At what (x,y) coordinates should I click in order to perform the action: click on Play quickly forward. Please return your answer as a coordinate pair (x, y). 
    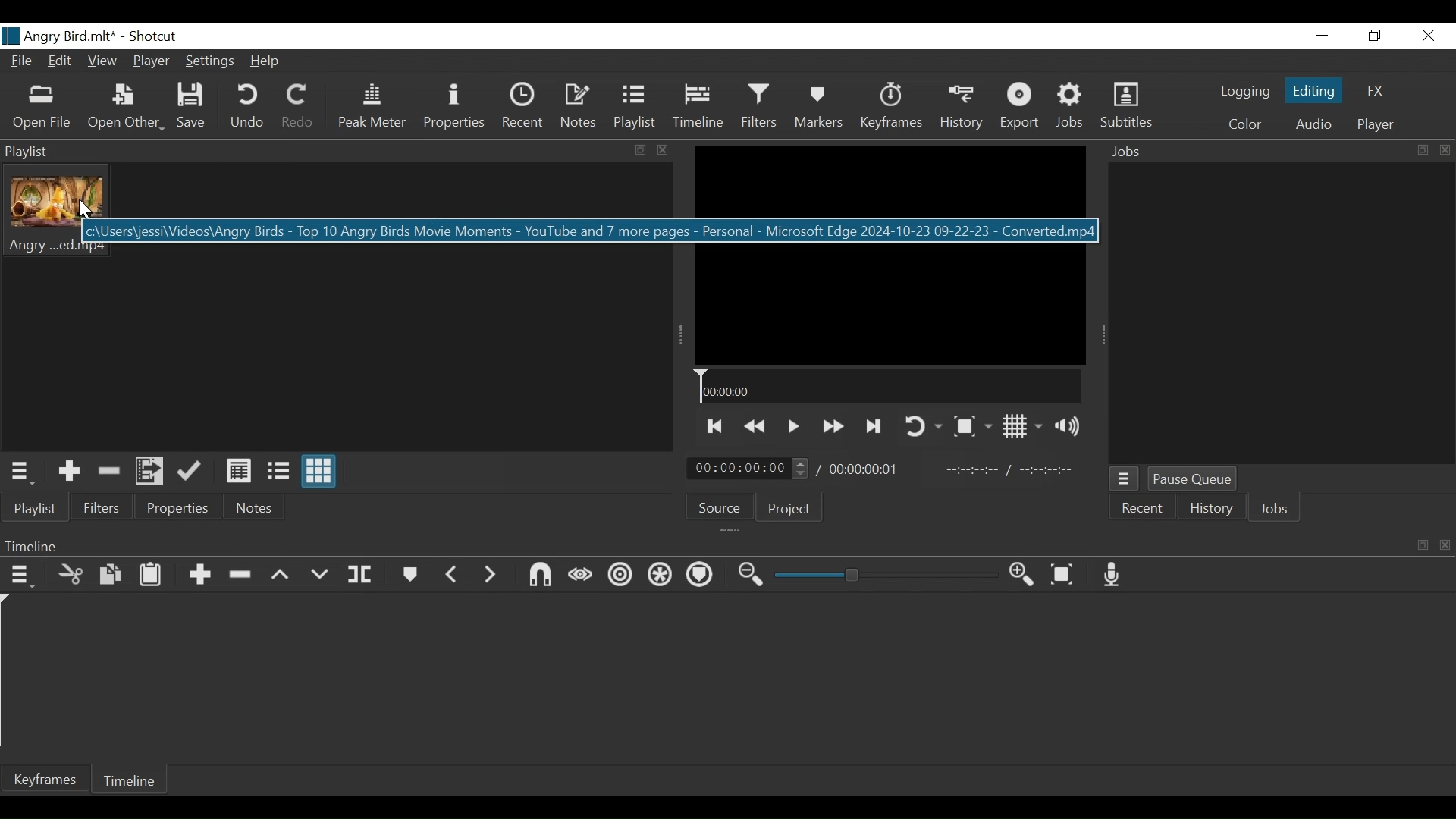
    Looking at the image, I should click on (830, 427).